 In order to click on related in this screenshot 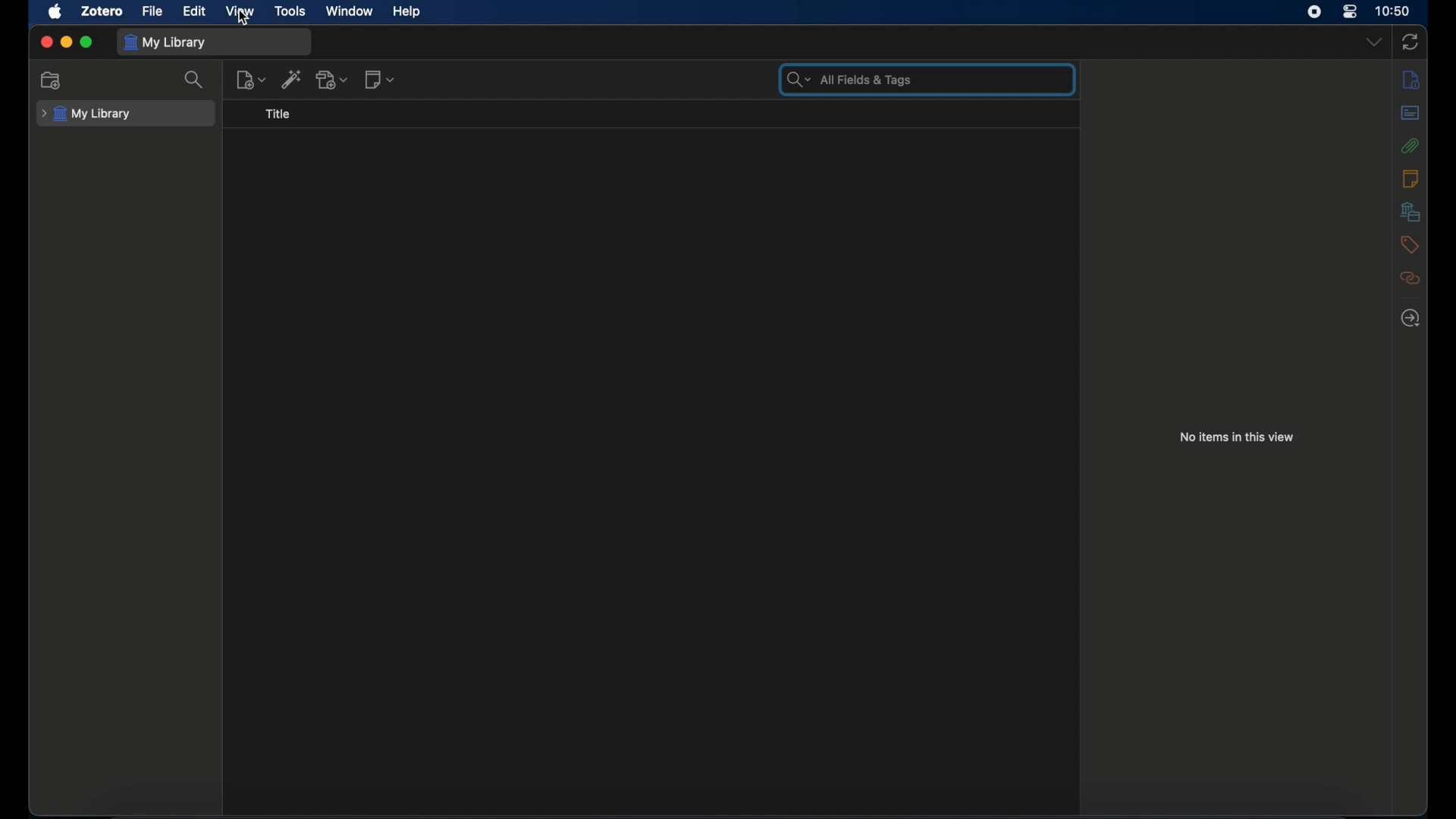, I will do `click(1411, 278)`.